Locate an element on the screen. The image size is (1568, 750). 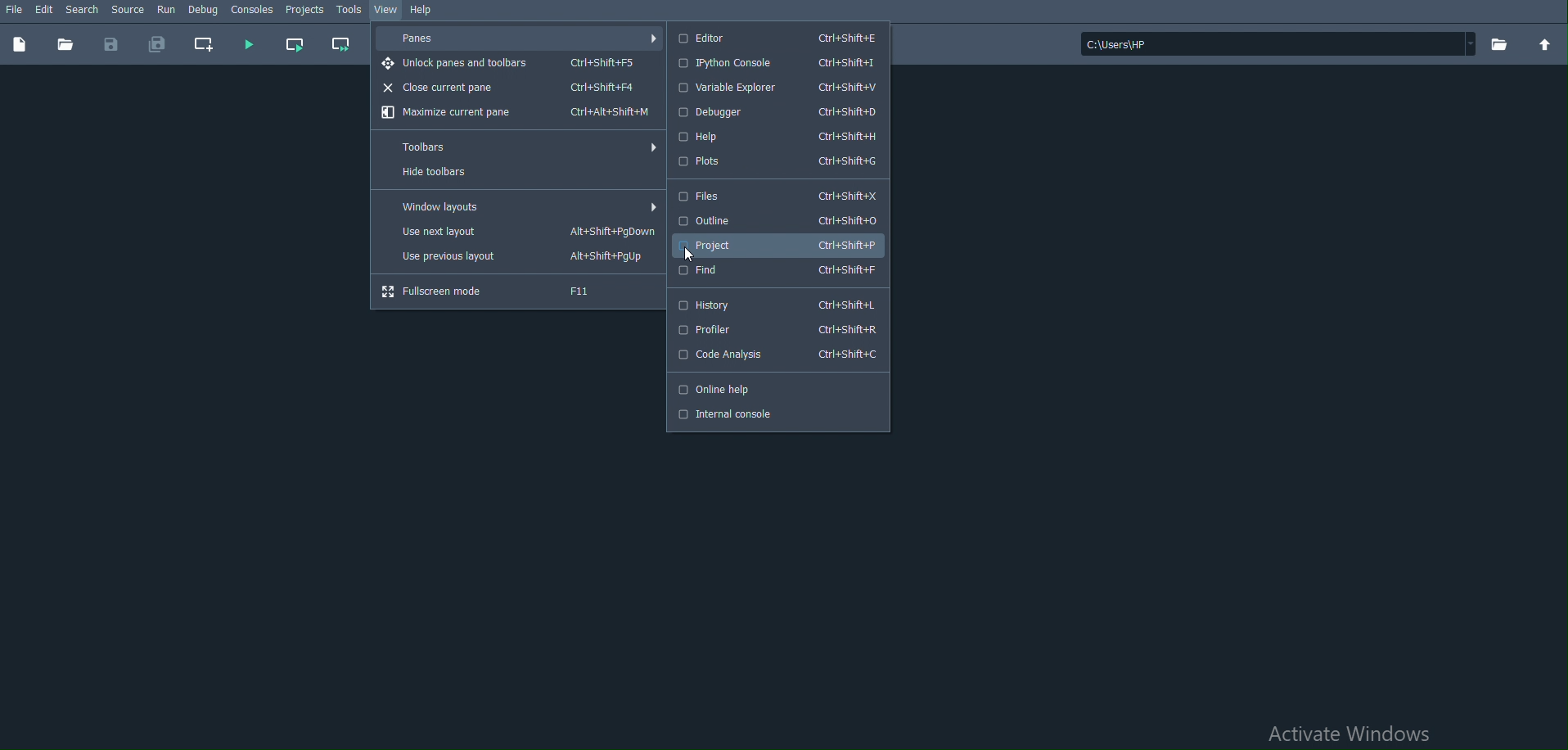
Run current cell is located at coordinates (294, 46).